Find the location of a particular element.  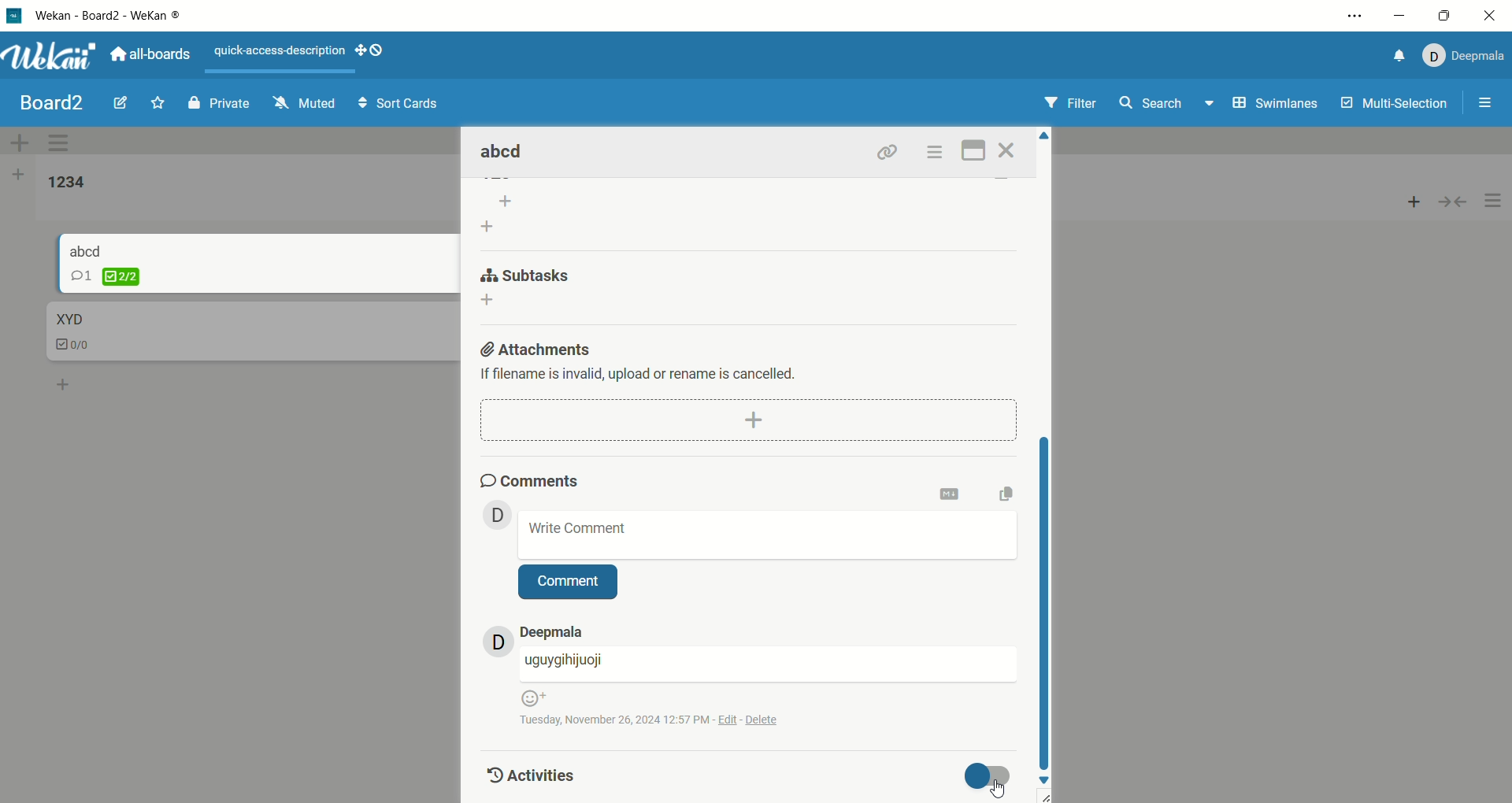

cursor is located at coordinates (995, 786).